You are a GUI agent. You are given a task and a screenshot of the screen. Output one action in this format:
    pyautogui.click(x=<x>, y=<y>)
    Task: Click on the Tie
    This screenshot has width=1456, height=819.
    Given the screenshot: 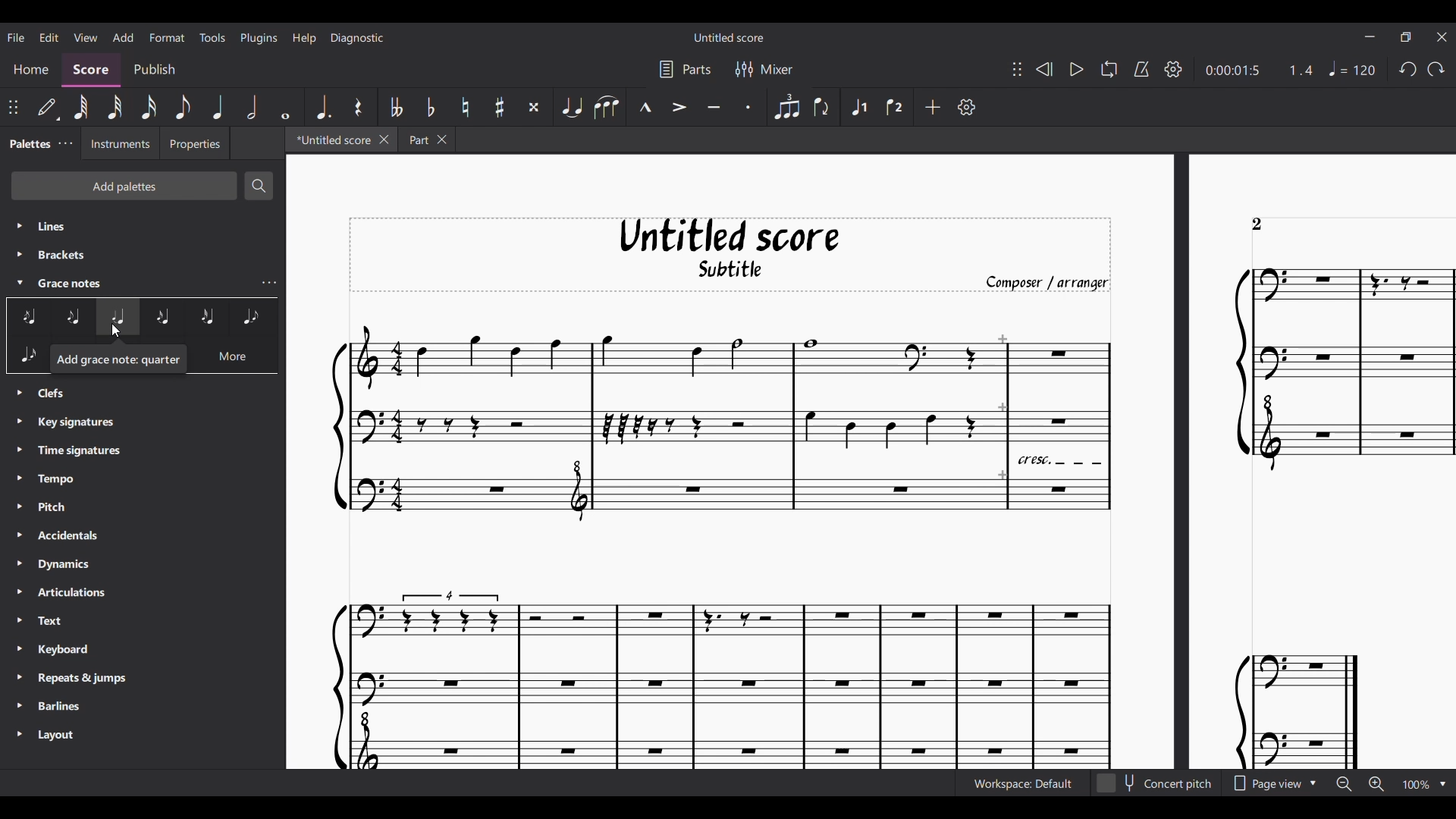 What is the action you would take?
    pyautogui.click(x=571, y=107)
    